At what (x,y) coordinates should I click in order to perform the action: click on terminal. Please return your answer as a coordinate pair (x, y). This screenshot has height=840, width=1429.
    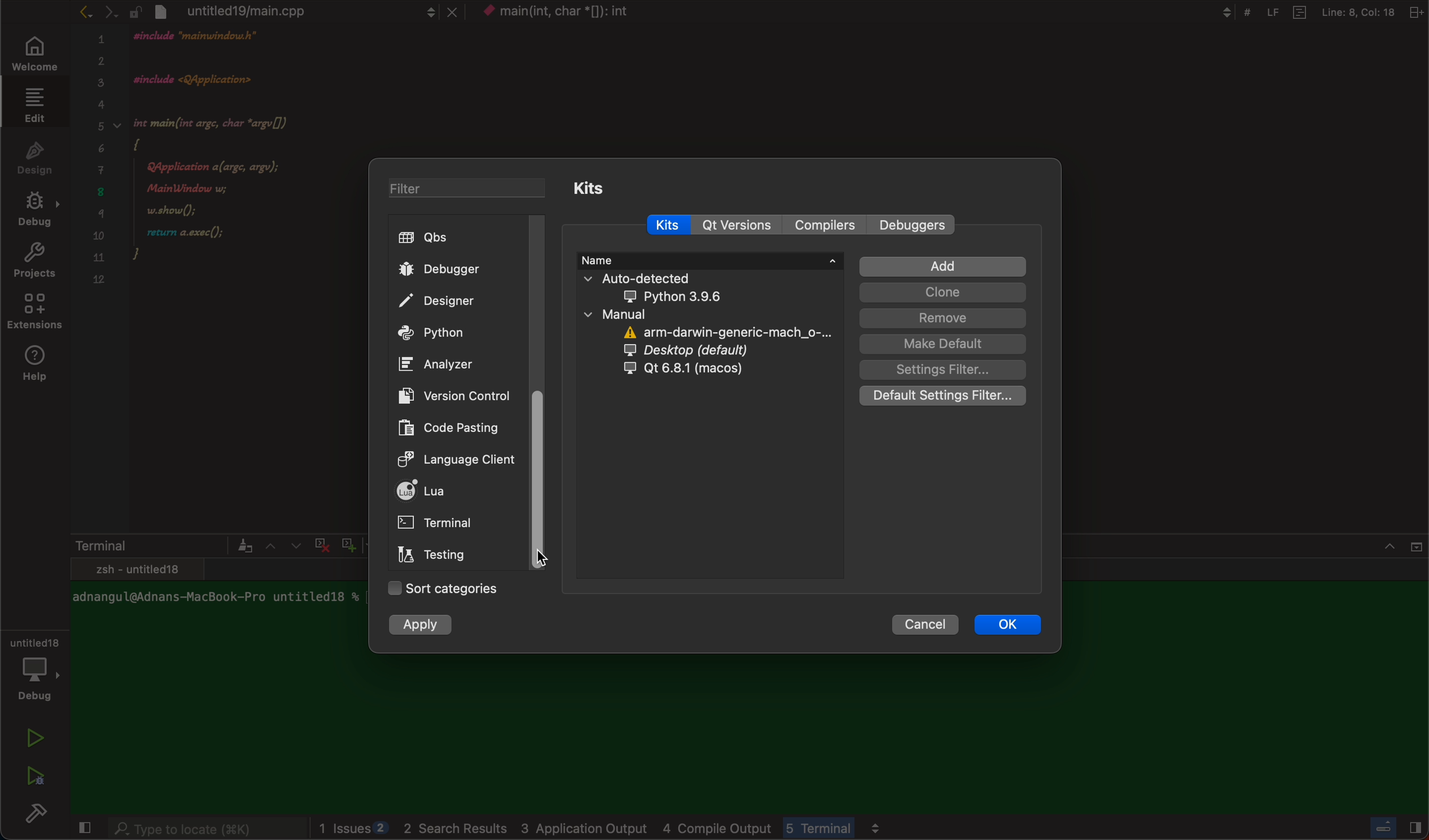
    Looking at the image, I should click on (445, 524).